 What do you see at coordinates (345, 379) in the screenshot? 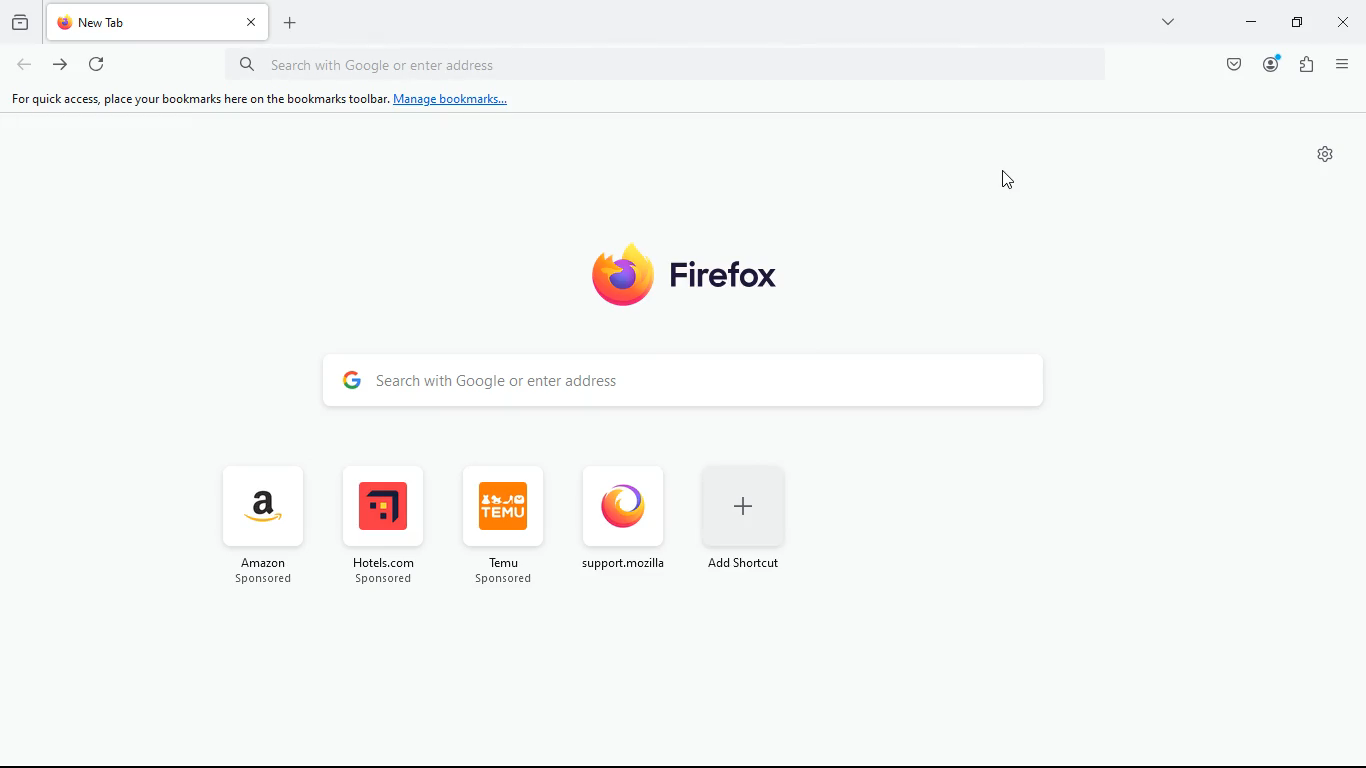
I see `Google logo` at bounding box center [345, 379].